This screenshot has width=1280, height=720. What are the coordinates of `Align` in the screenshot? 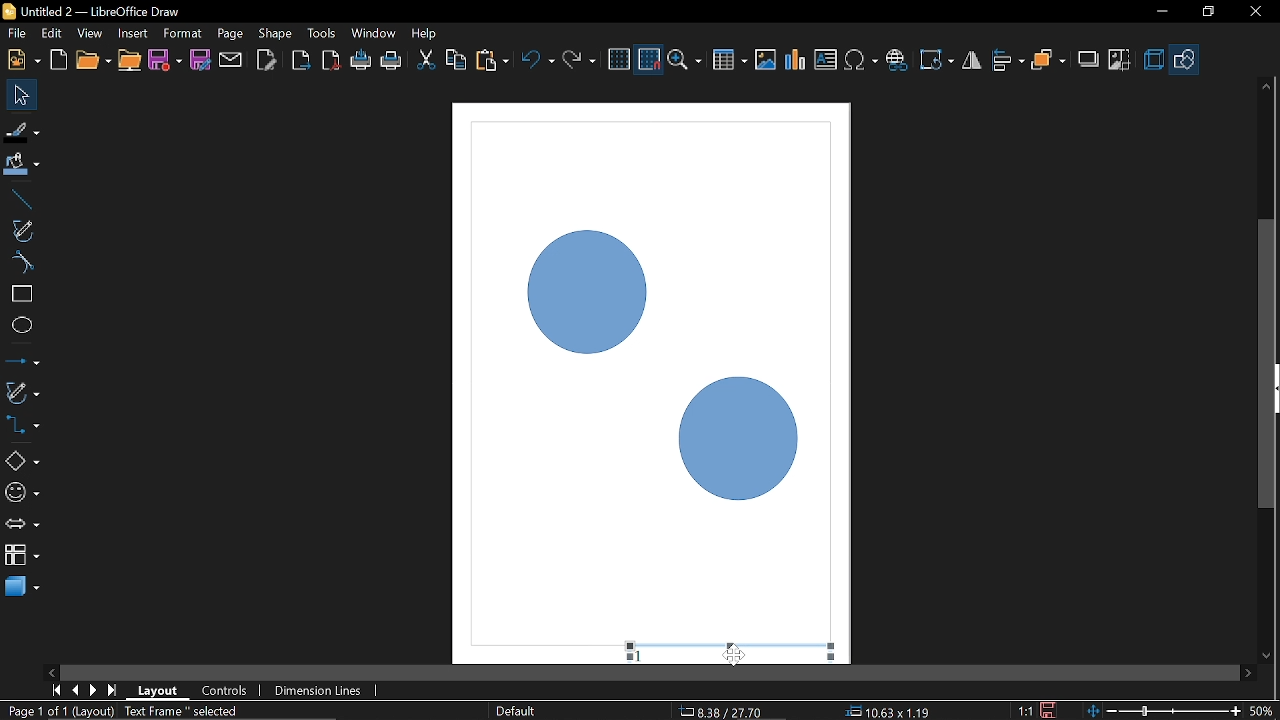 It's located at (1009, 61).